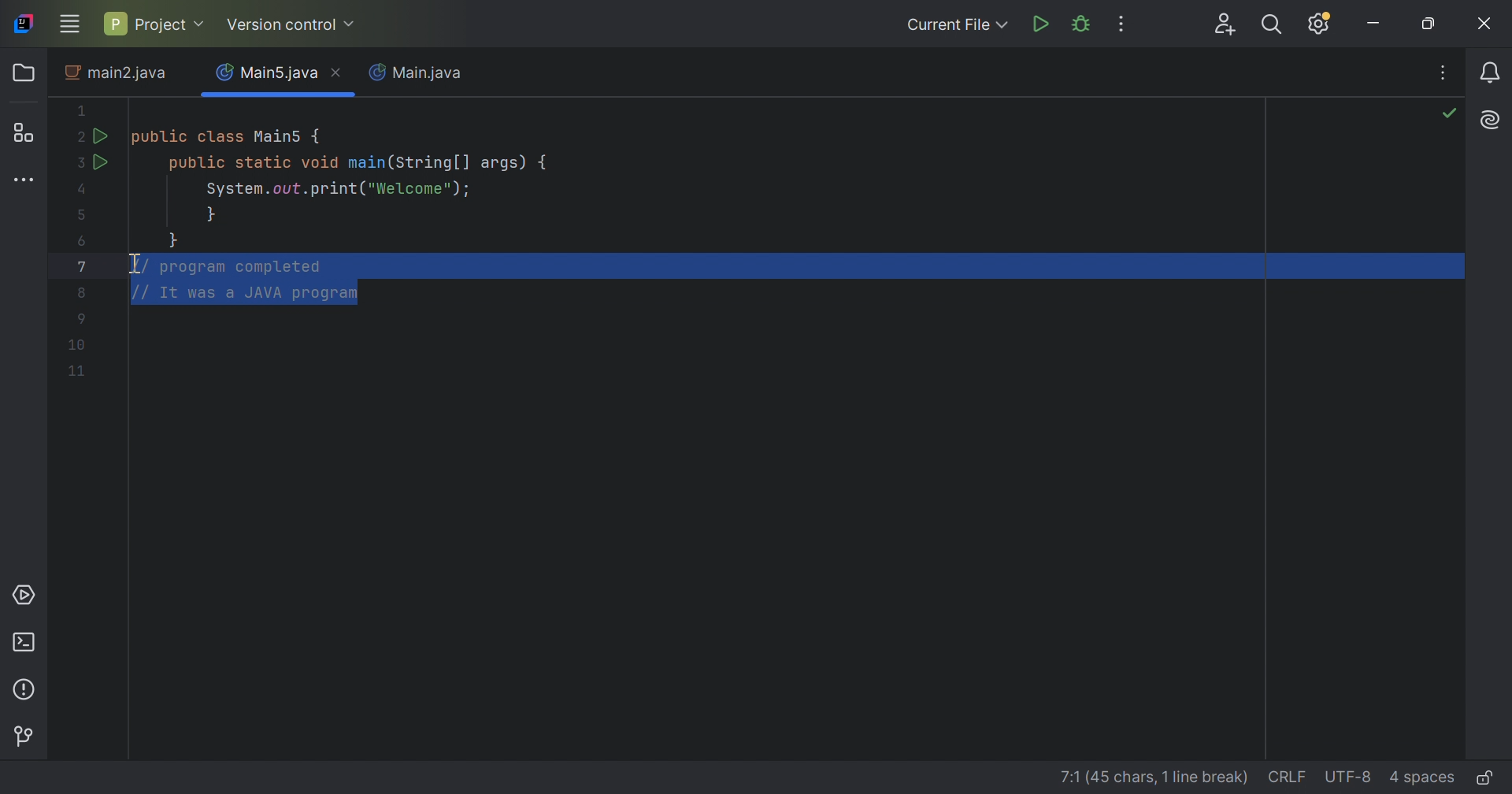 The height and width of the screenshot is (794, 1512). I want to click on line details, so click(1141, 774).